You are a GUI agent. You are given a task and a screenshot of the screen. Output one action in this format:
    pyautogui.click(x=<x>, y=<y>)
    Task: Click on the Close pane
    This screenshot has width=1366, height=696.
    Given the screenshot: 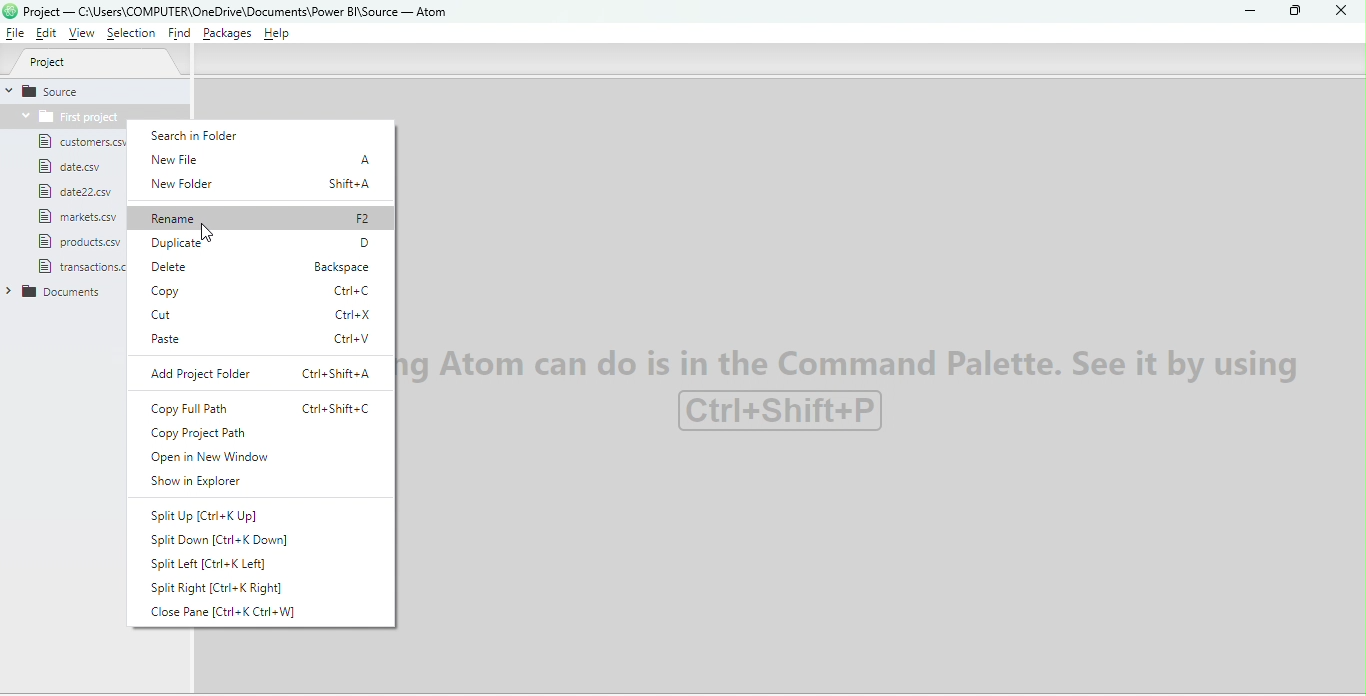 What is the action you would take?
    pyautogui.click(x=232, y=613)
    